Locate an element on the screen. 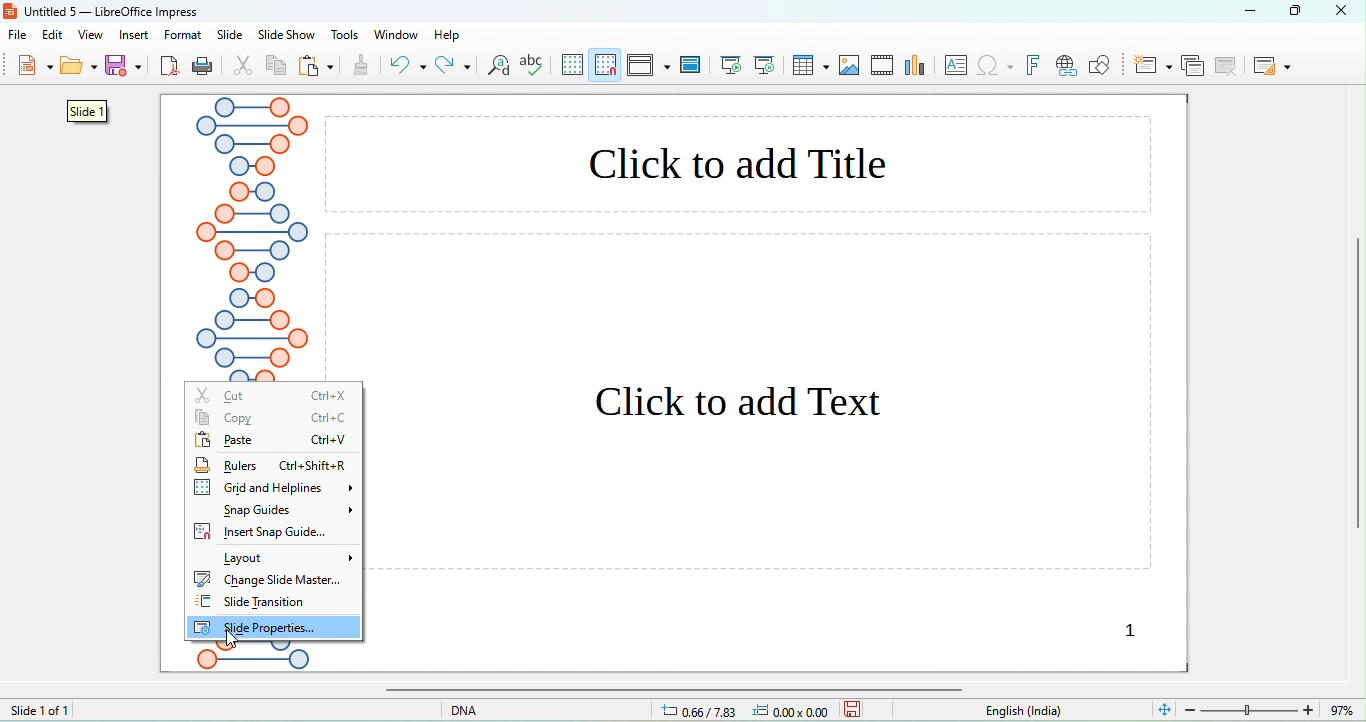  tools is located at coordinates (346, 35).